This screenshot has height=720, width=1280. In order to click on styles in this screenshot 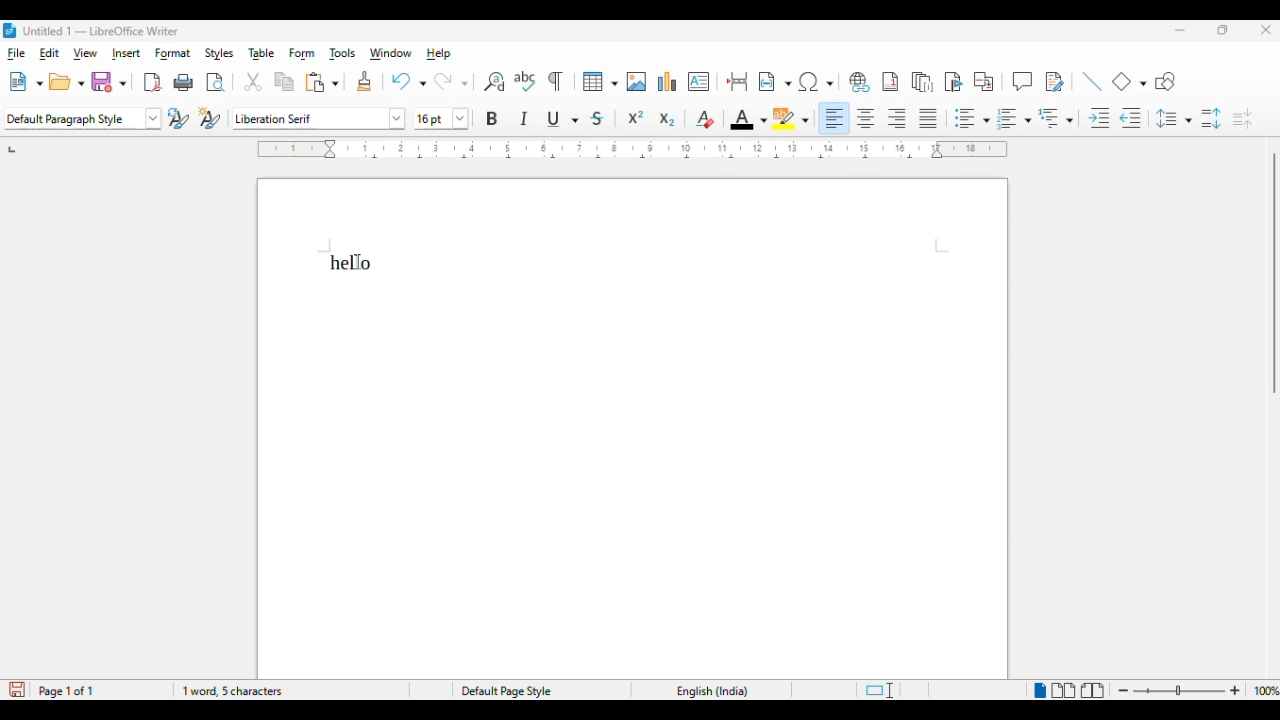, I will do `click(220, 54)`.